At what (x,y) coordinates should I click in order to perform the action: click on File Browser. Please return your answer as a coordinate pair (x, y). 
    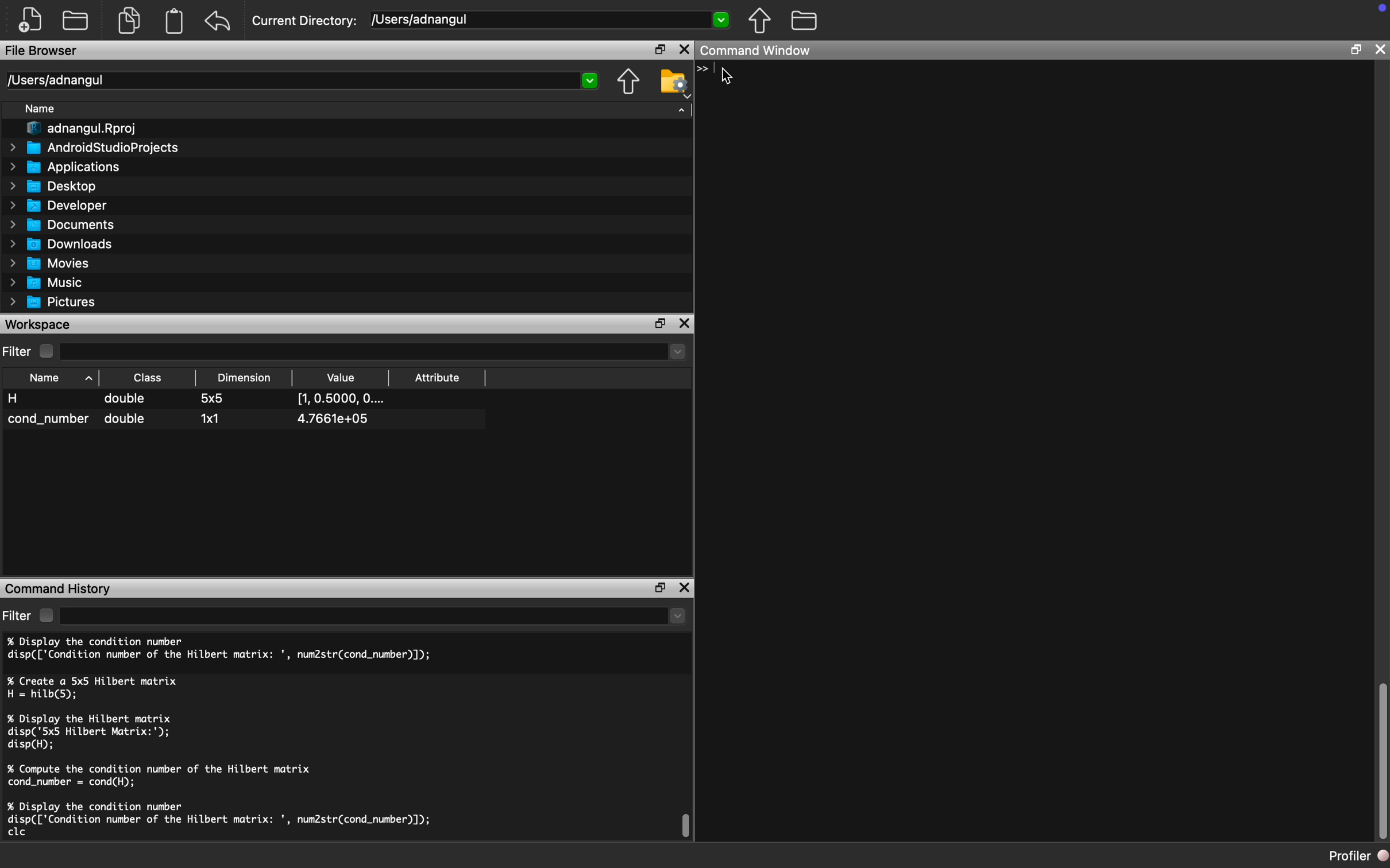
    Looking at the image, I should click on (43, 50).